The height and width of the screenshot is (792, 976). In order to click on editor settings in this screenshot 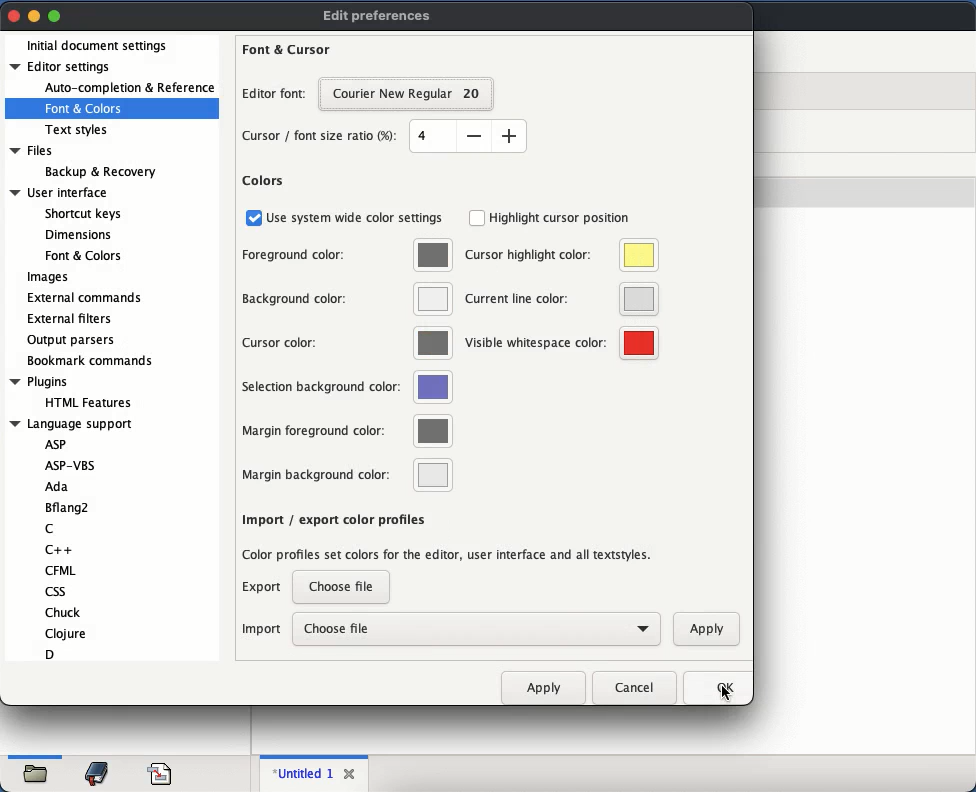, I will do `click(62, 67)`.